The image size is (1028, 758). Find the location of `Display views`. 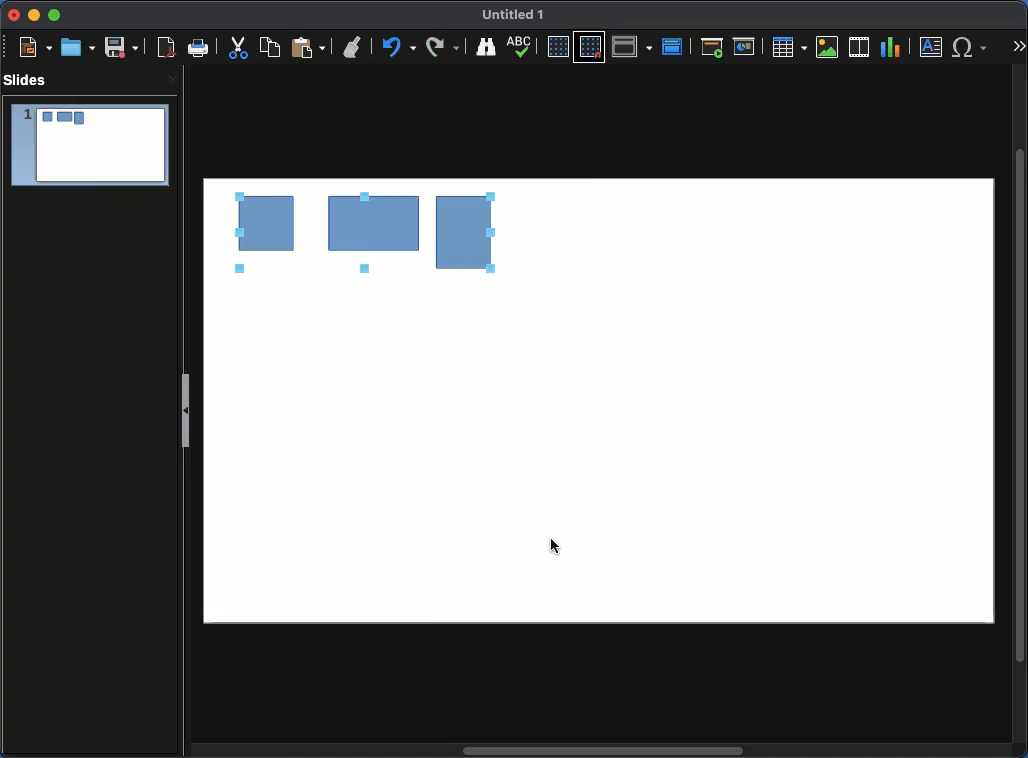

Display views is located at coordinates (632, 46).